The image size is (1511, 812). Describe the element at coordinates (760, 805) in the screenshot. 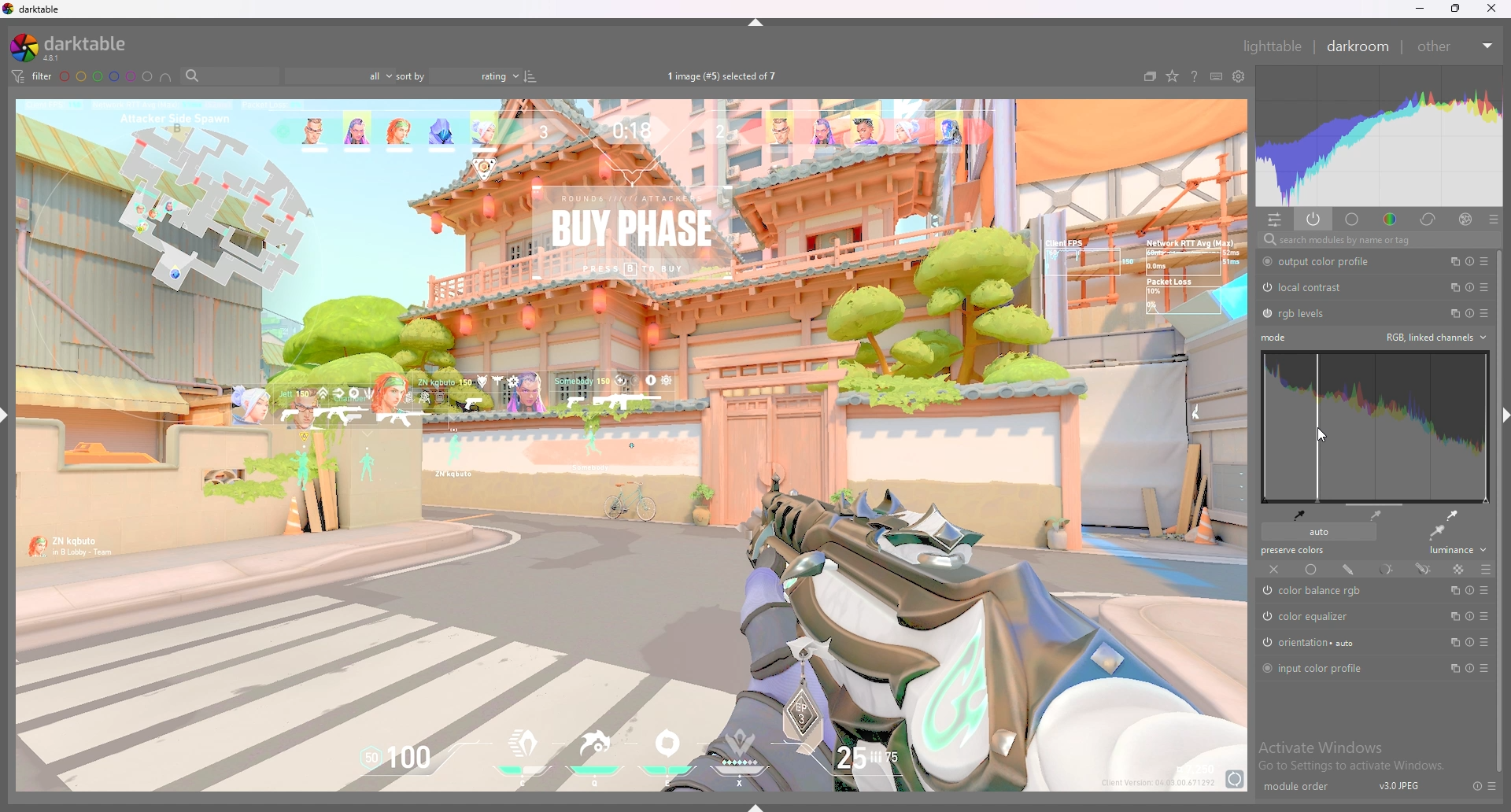

I see `hide` at that location.